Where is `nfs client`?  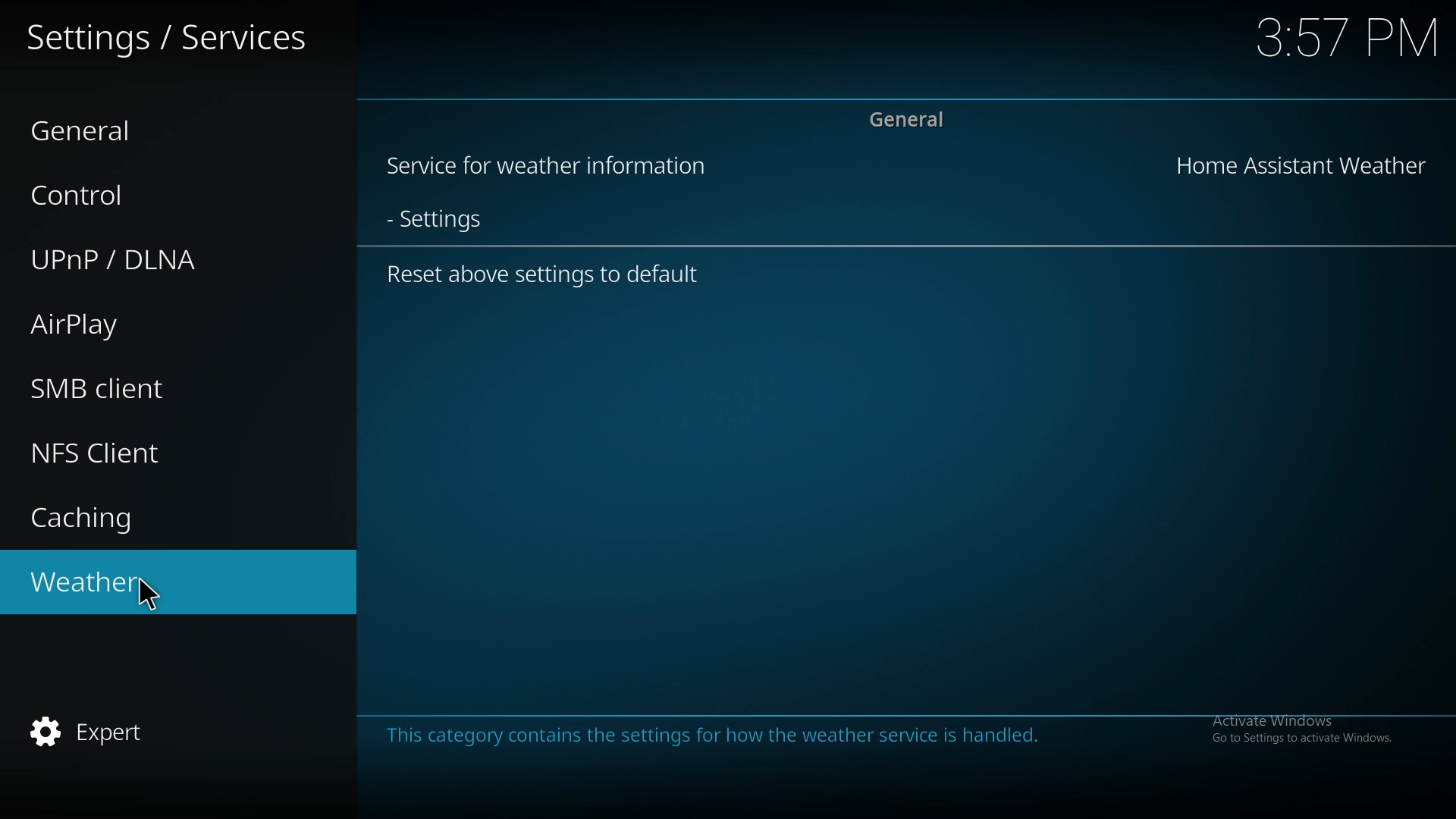 nfs client is located at coordinates (155, 453).